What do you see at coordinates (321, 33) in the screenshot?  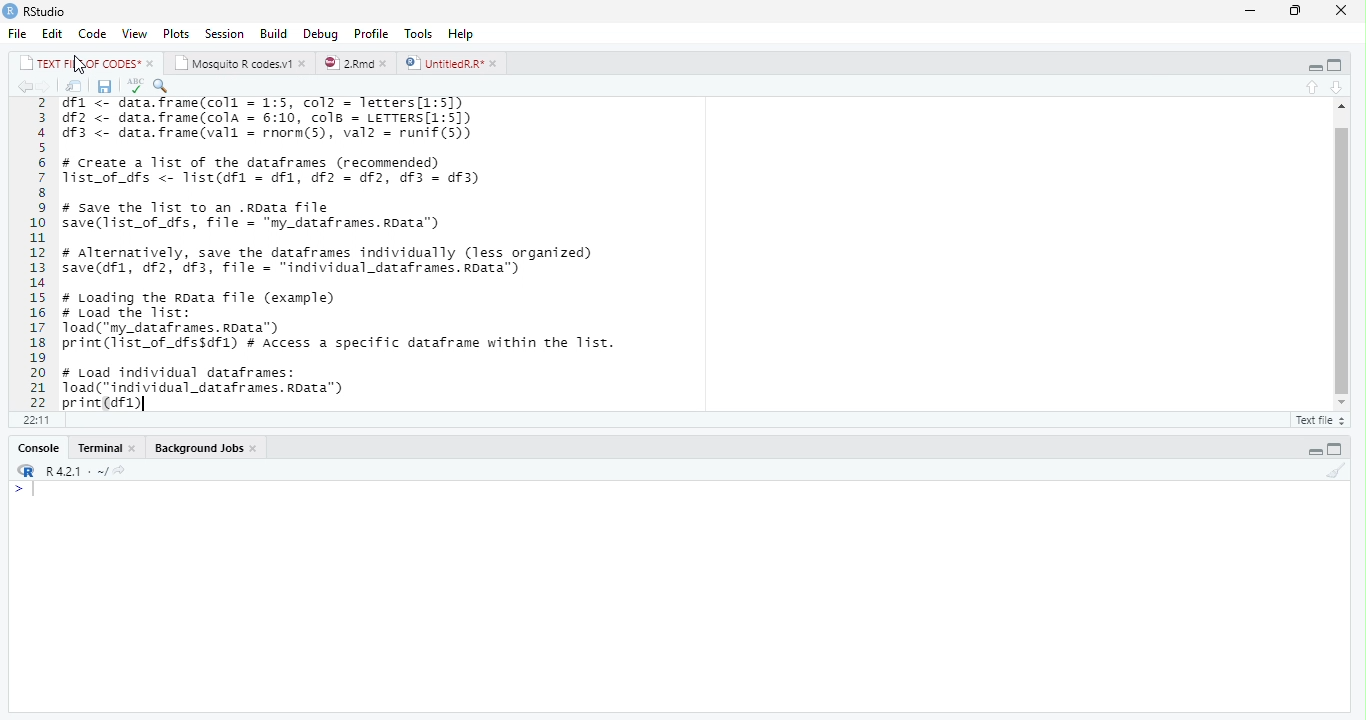 I see `Debug` at bounding box center [321, 33].